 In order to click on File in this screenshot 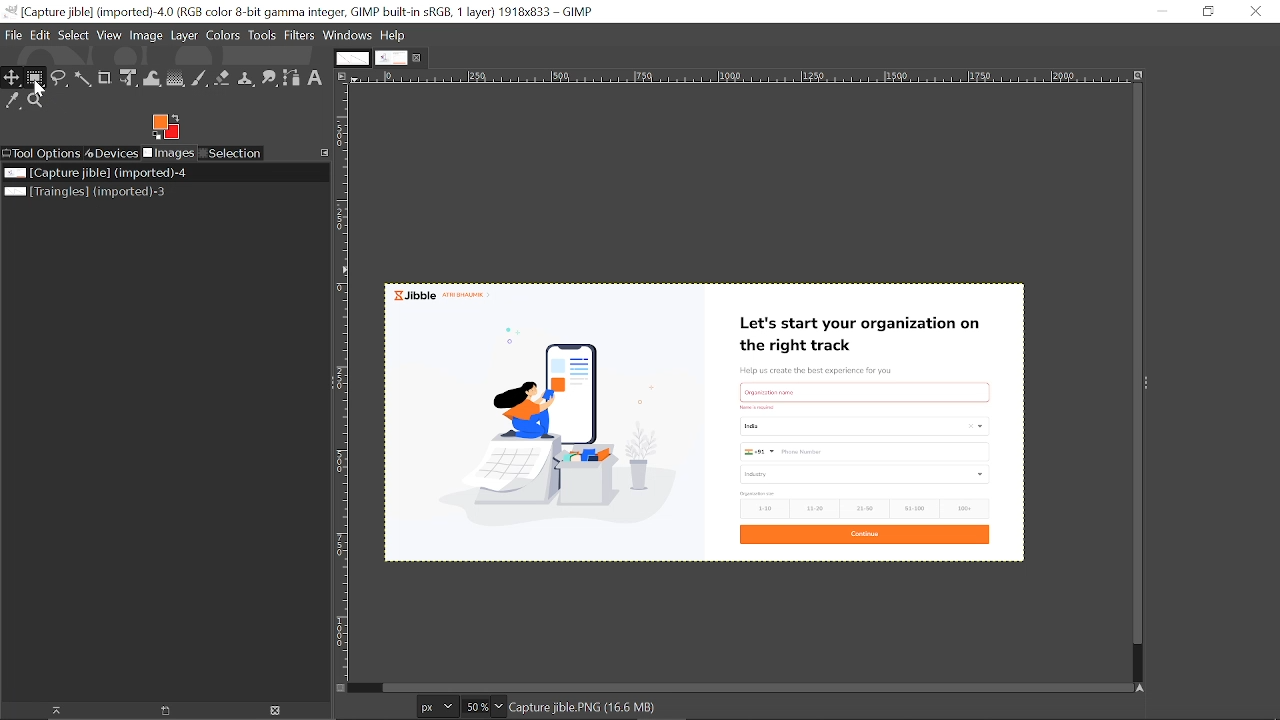, I will do `click(11, 34)`.